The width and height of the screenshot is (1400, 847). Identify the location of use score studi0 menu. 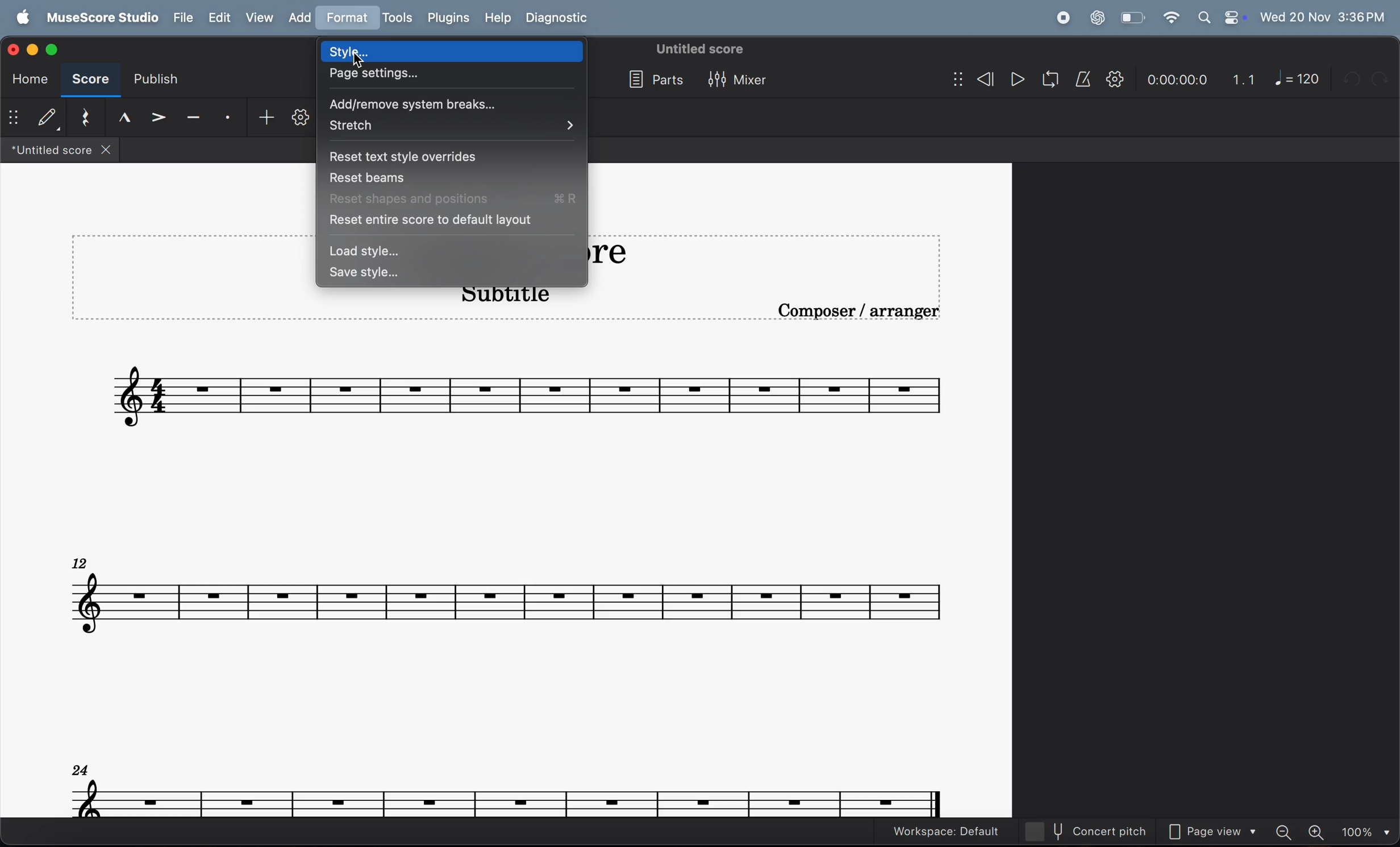
(99, 18).